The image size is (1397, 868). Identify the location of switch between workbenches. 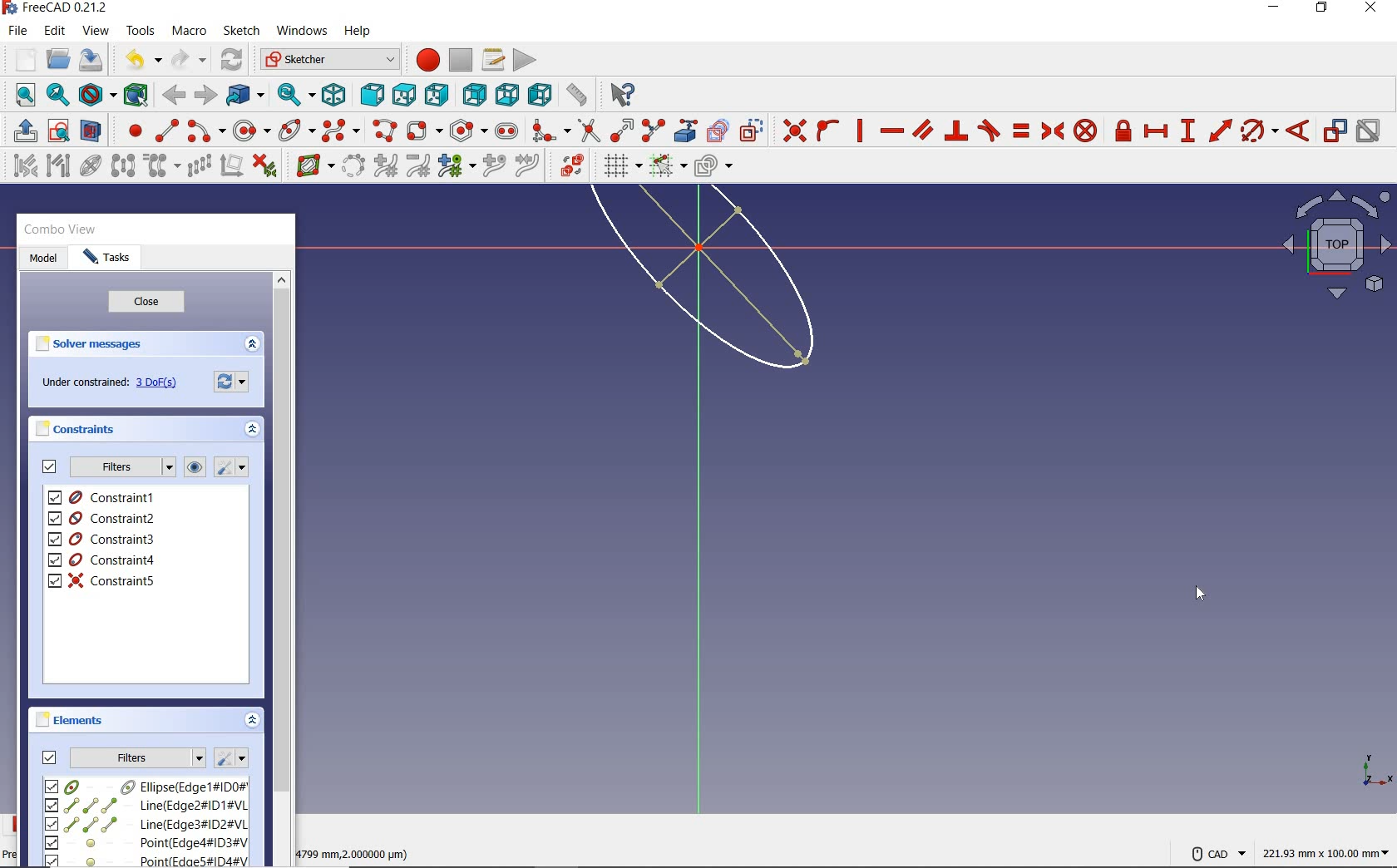
(329, 60).